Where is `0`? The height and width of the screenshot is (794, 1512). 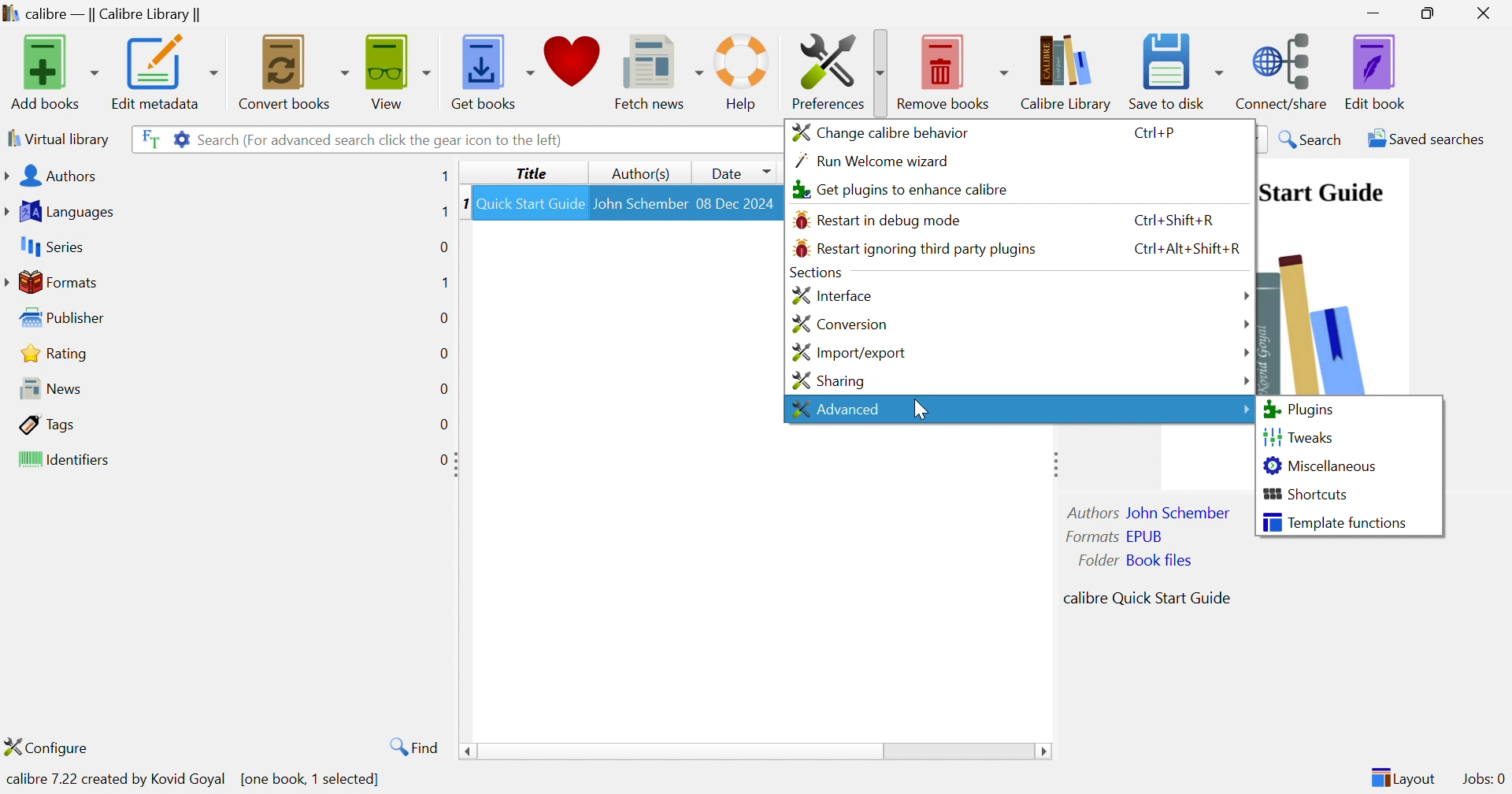
0 is located at coordinates (443, 389).